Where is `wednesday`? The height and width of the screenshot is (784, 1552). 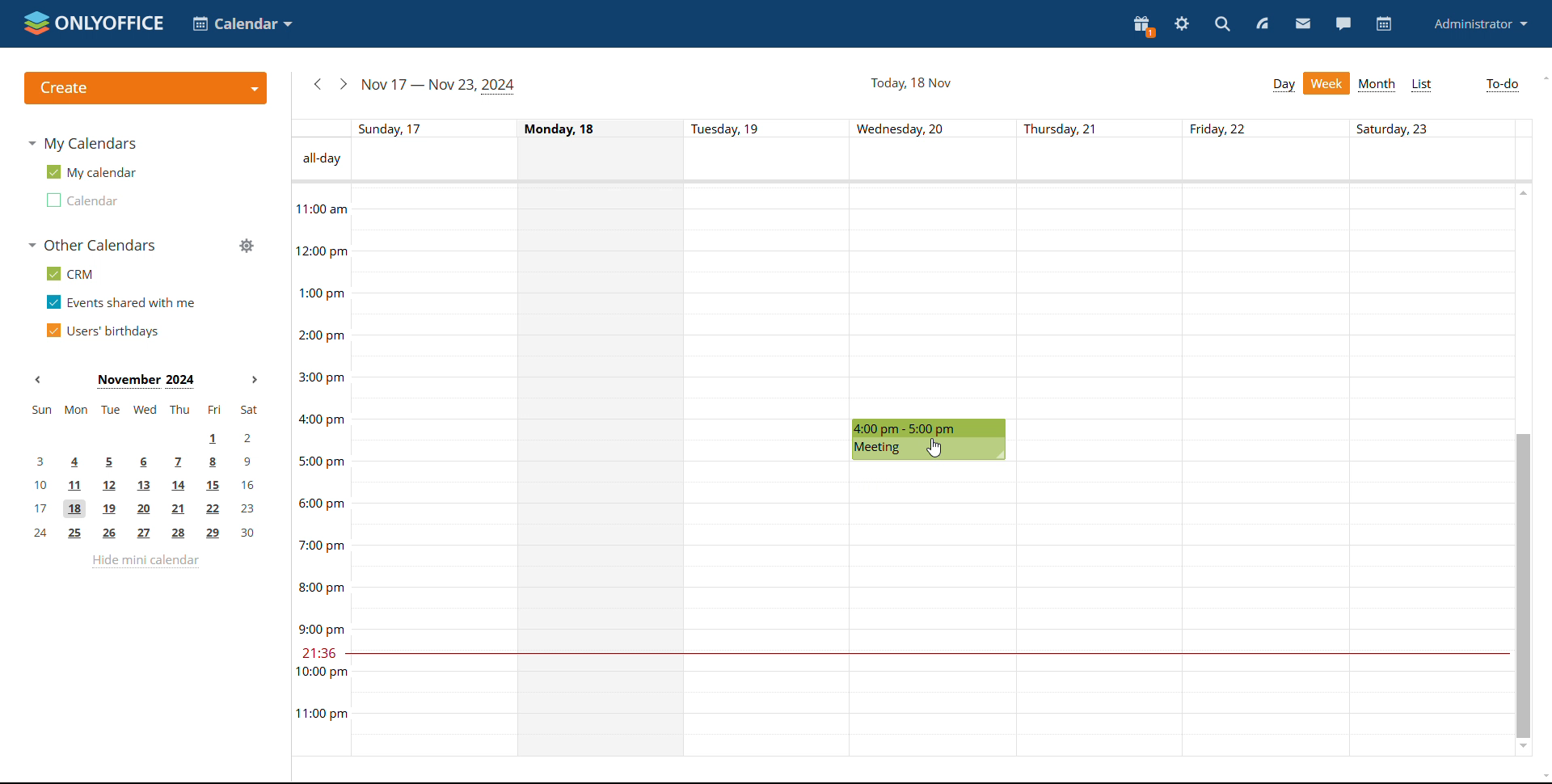 wednesday is located at coordinates (934, 610).